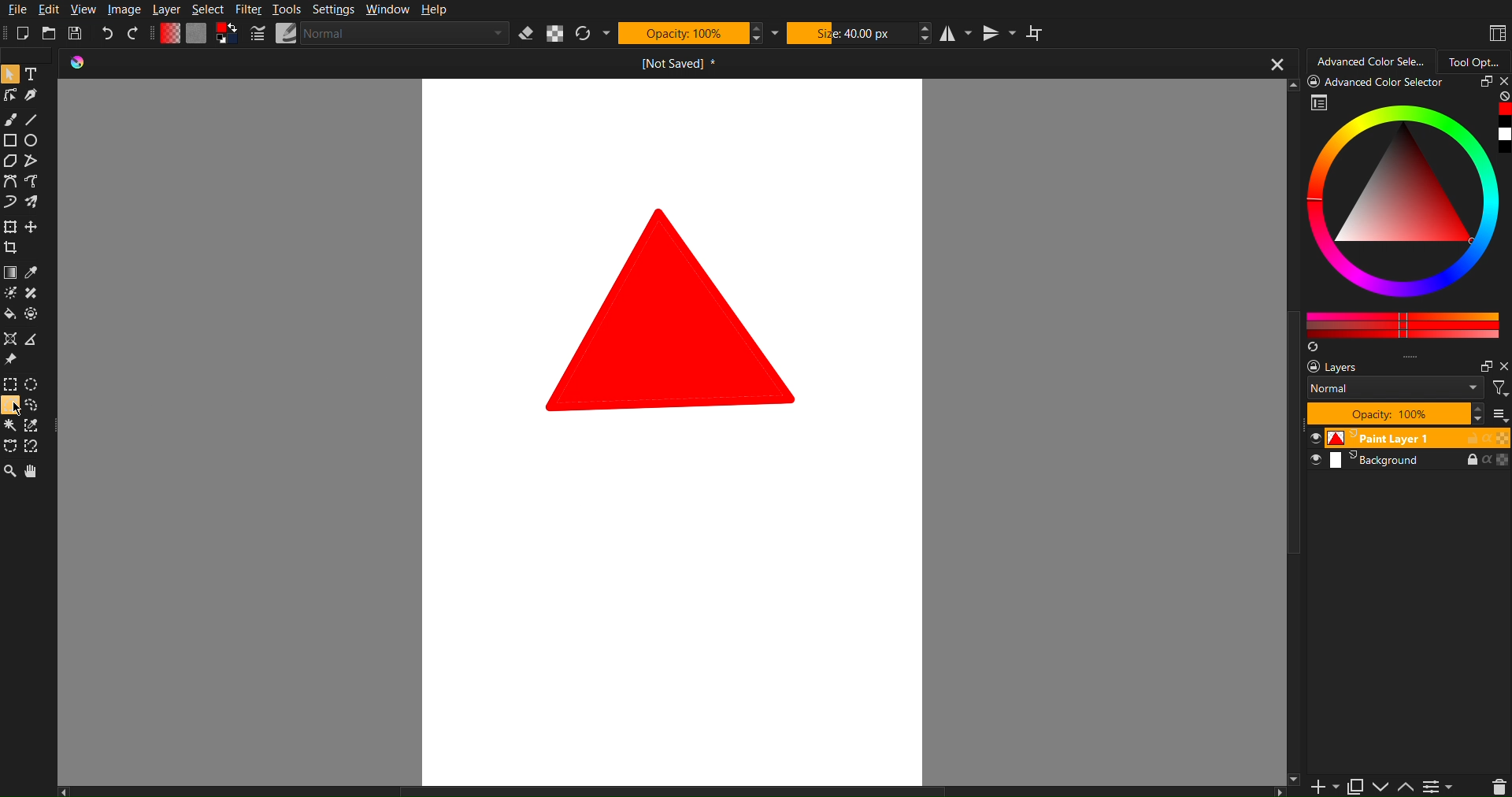 The image size is (1512, 797). What do you see at coordinates (1354, 784) in the screenshot?
I see `Paste` at bounding box center [1354, 784].